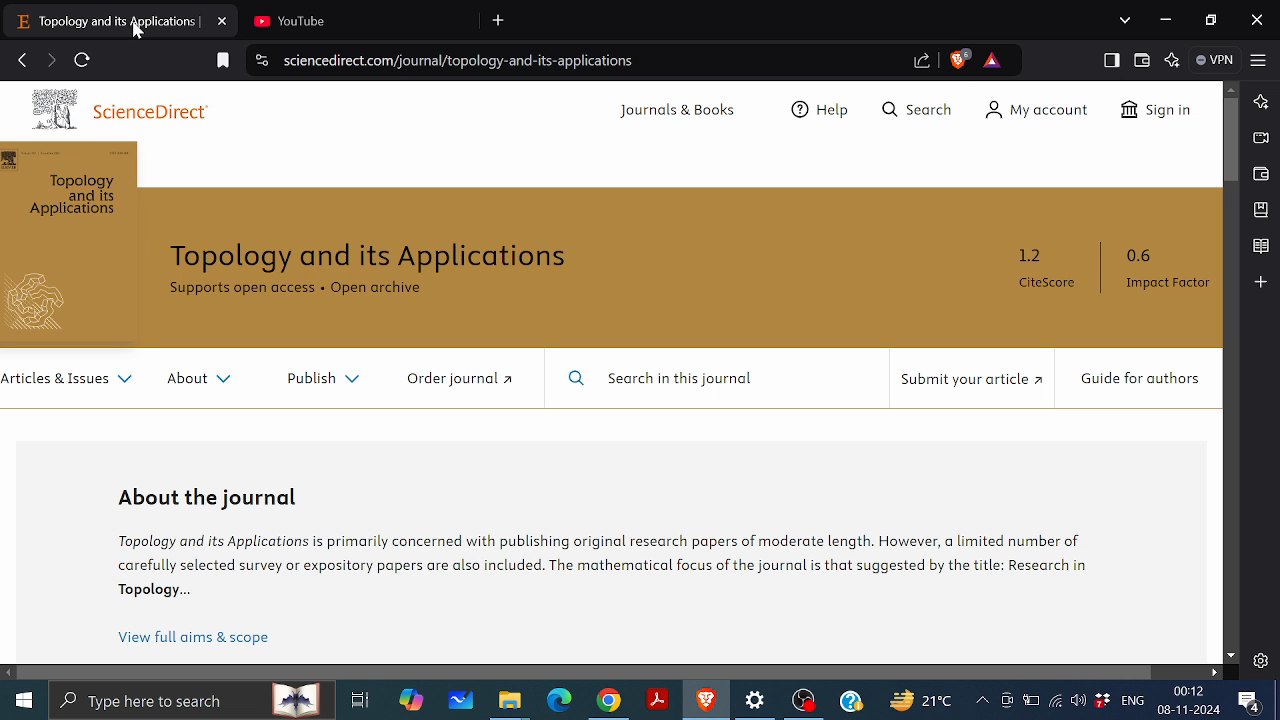 The width and height of the screenshot is (1280, 720). I want to click on Start, so click(22, 697).